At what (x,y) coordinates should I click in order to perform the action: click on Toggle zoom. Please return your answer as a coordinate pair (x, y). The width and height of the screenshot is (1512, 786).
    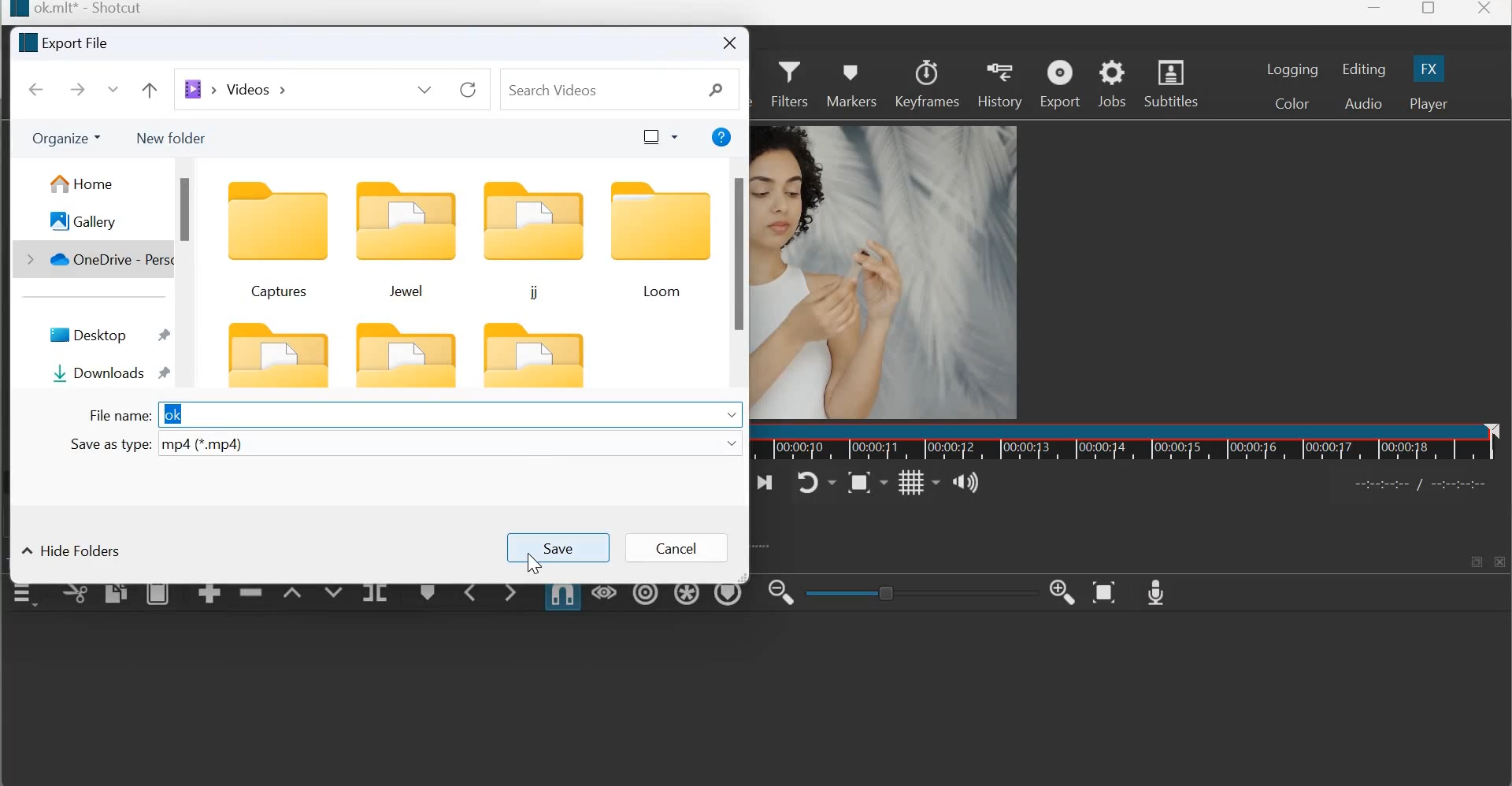
    Looking at the image, I should click on (867, 480).